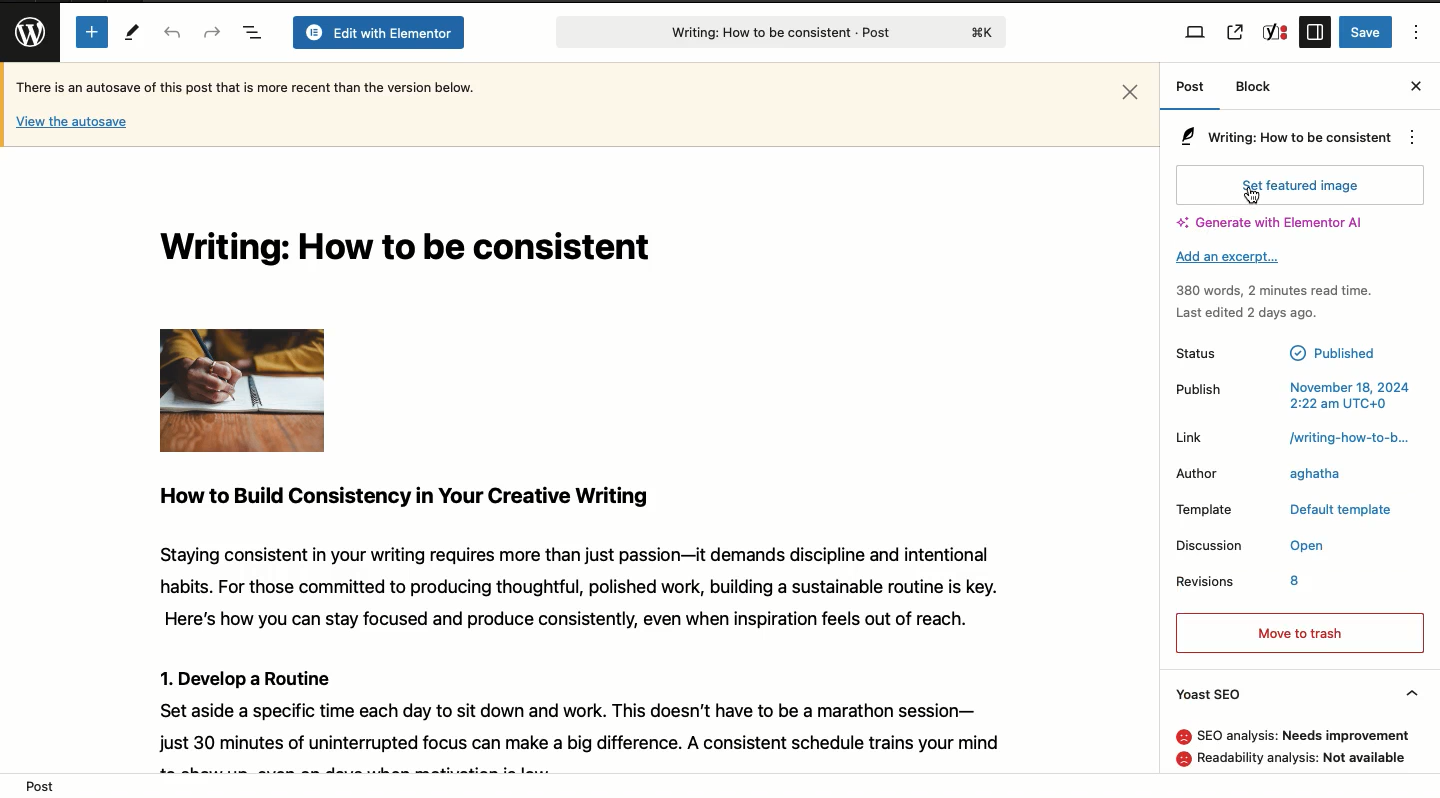 The image size is (1440, 798). What do you see at coordinates (1234, 32) in the screenshot?
I see `View post` at bounding box center [1234, 32].